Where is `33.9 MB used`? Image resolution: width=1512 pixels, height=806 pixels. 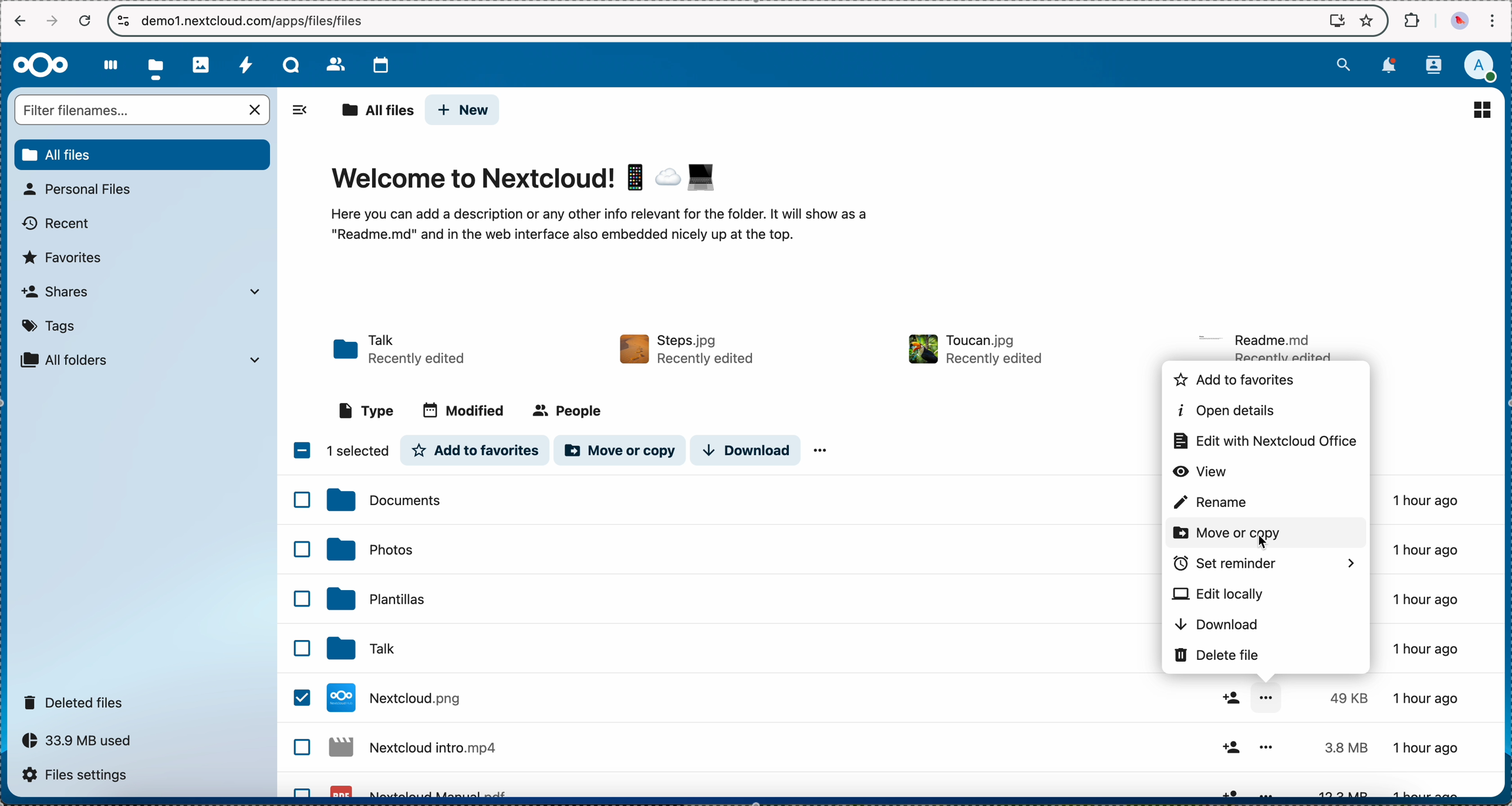 33.9 MB used is located at coordinates (81, 740).